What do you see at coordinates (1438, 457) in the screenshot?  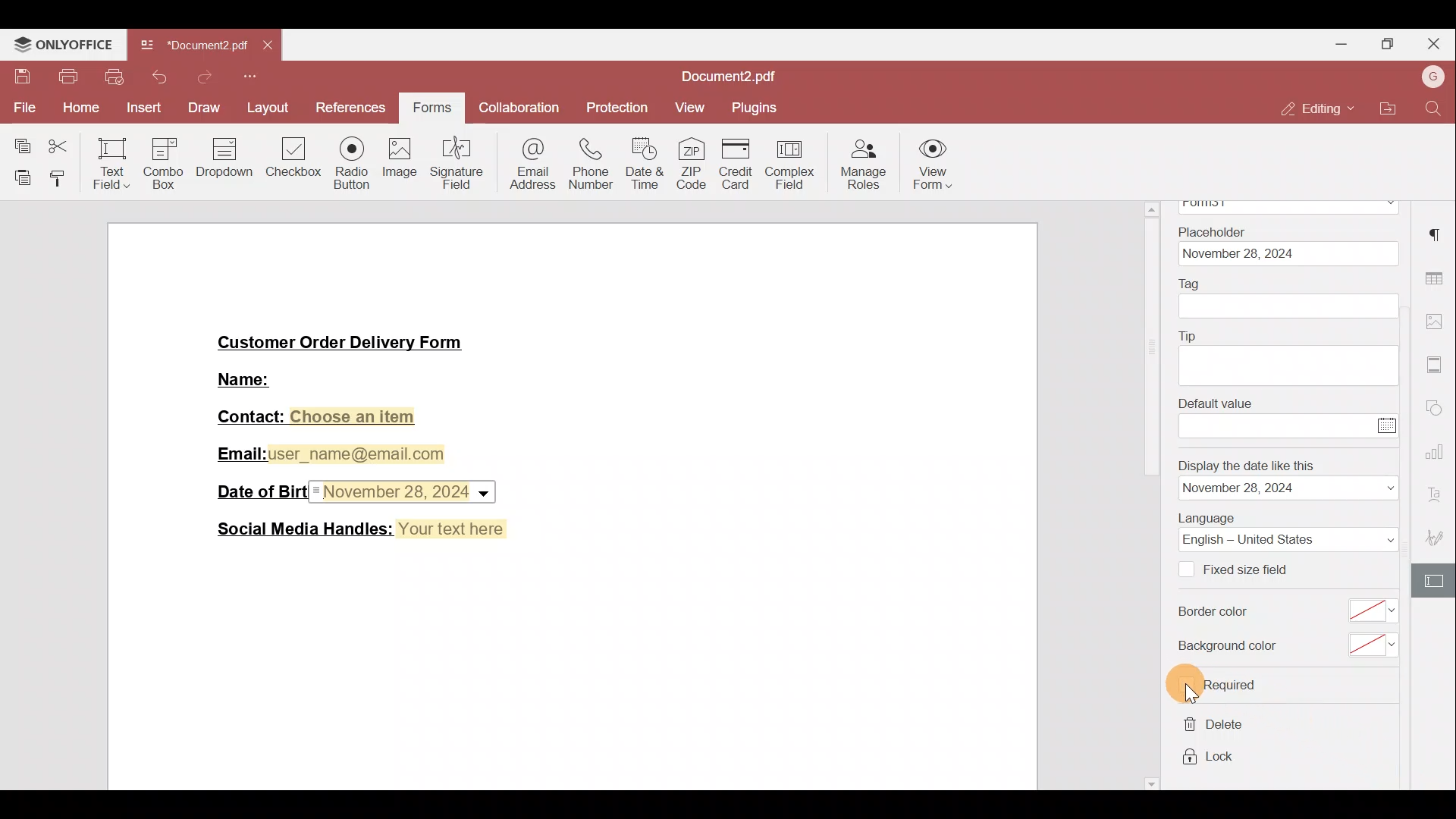 I see `Chart settings` at bounding box center [1438, 457].